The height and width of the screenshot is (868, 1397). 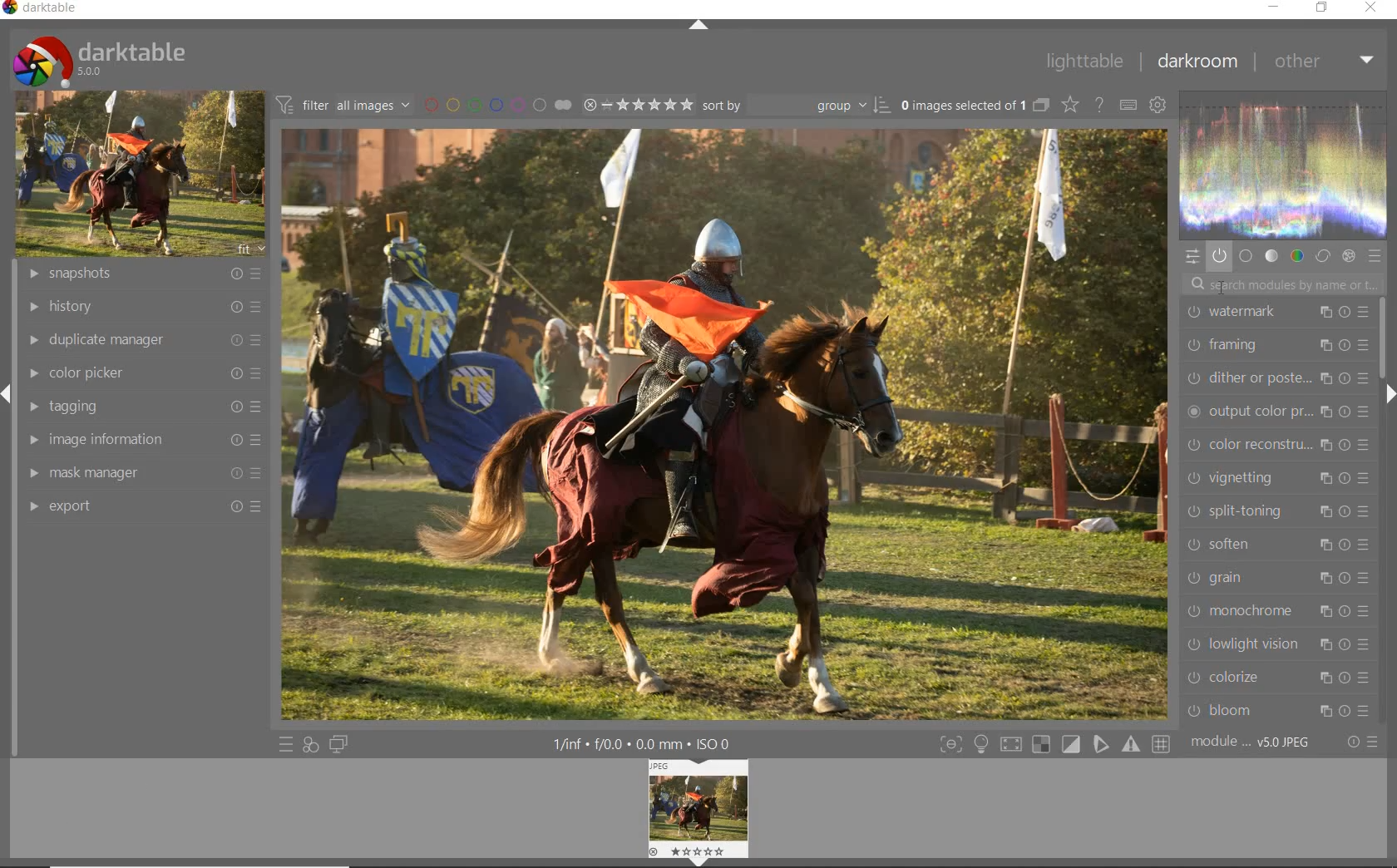 What do you see at coordinates (1219, 257) in the screenshot?
I see `show only active modules` at bounding box center [1219, 257].